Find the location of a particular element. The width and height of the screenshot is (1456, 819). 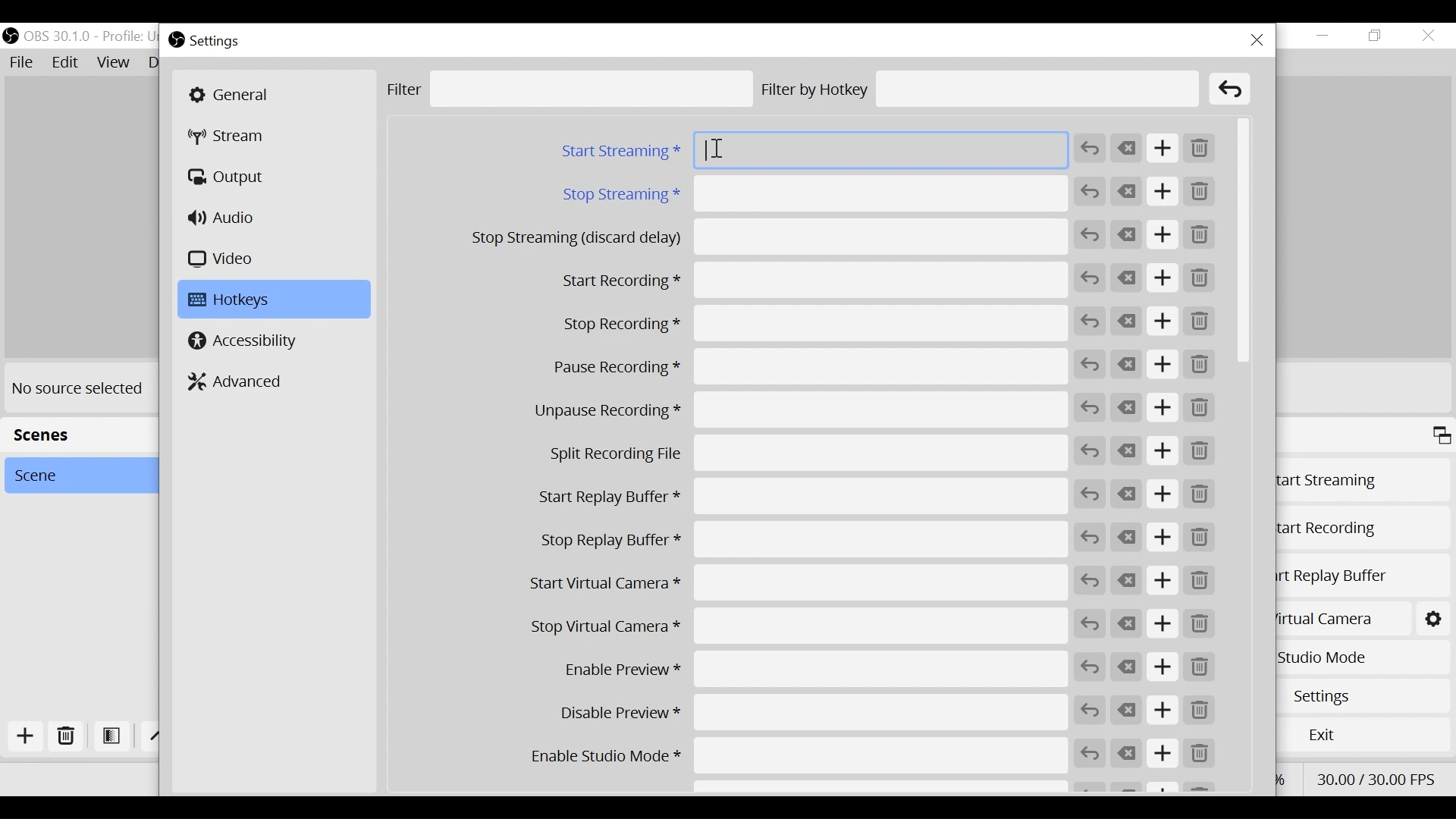

Revert is located at coordinates (1090, 711).